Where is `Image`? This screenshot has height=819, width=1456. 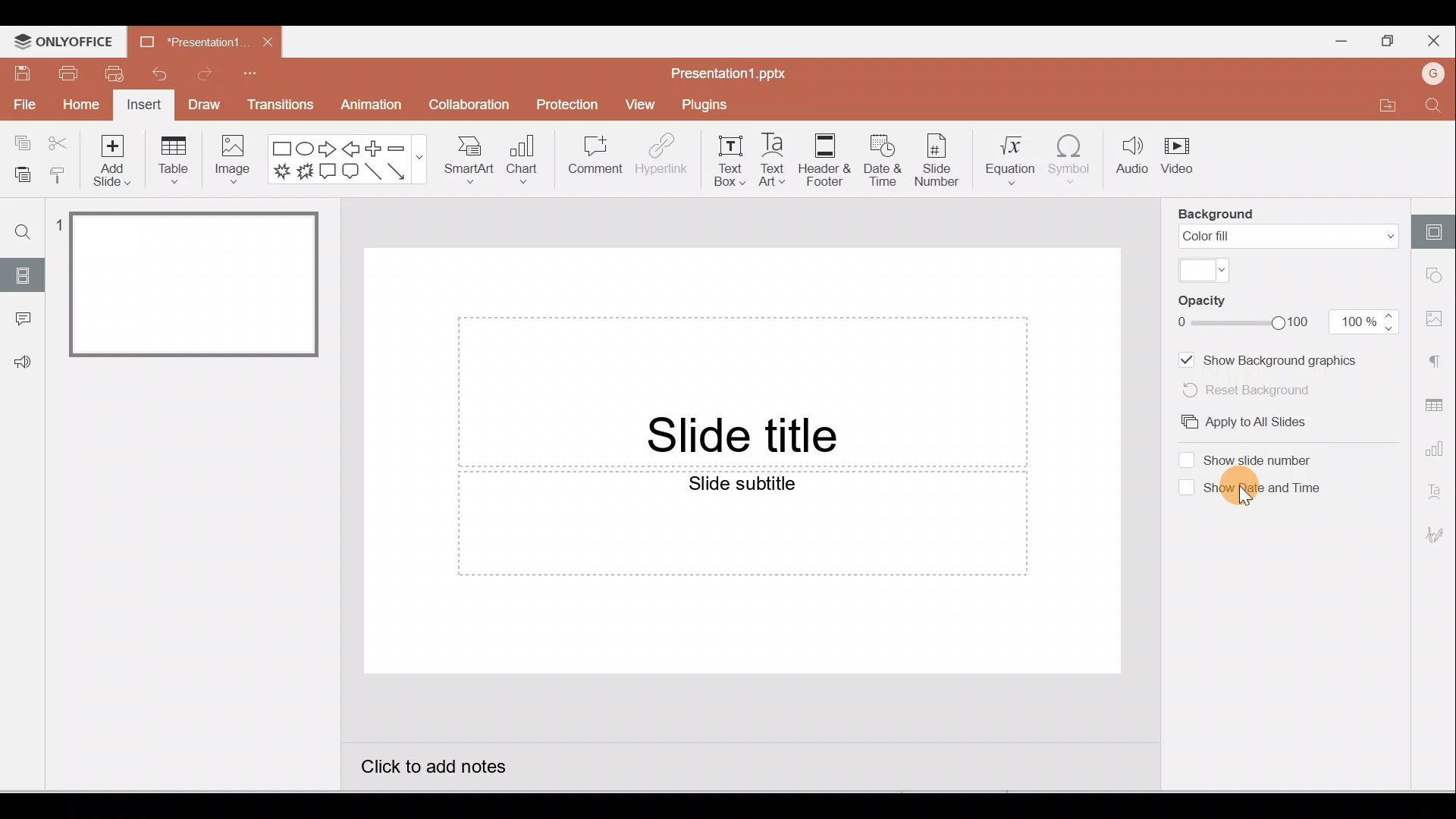 Image is located at coordinates (235, 160).